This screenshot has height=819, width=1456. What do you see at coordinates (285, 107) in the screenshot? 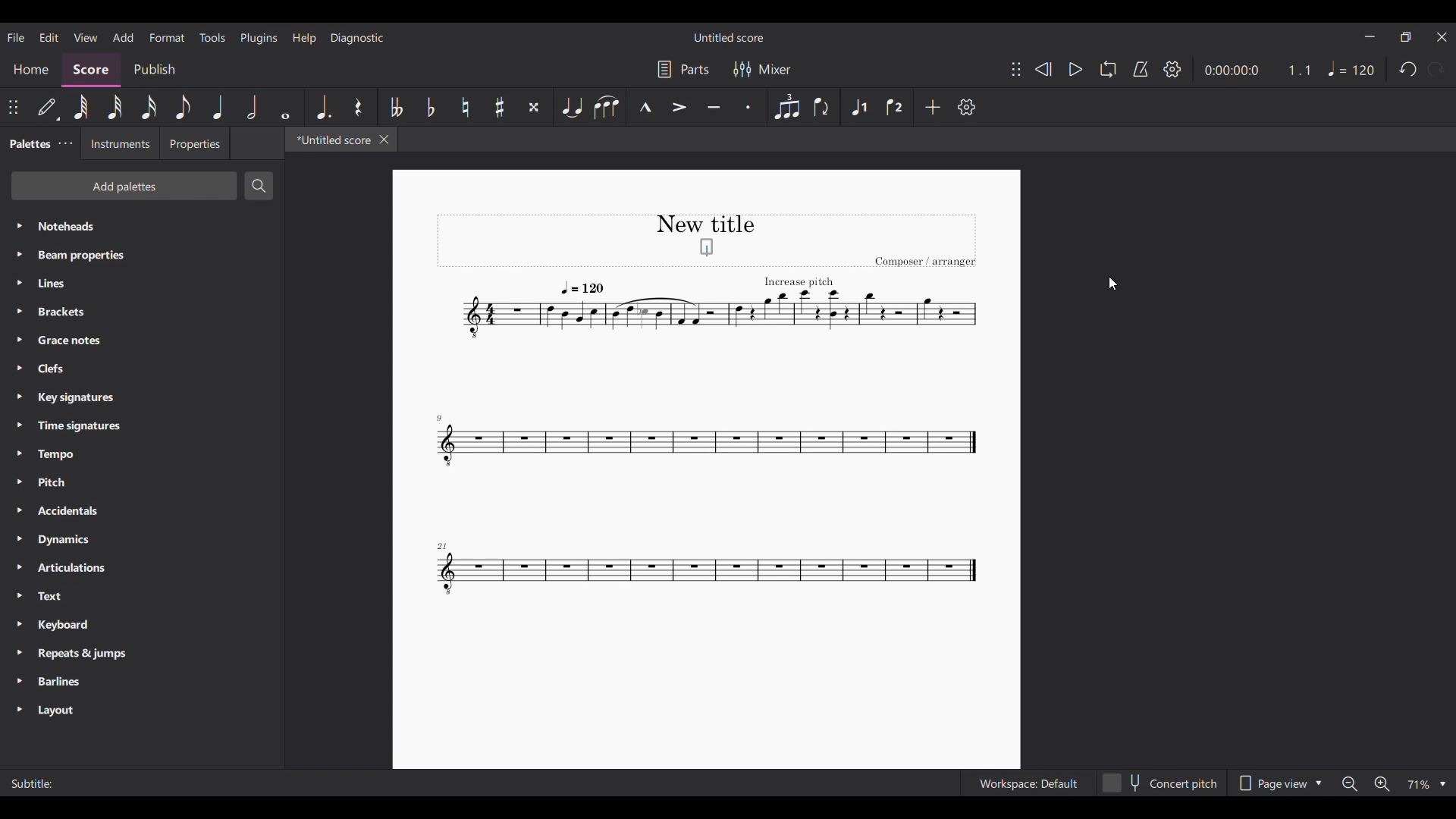
I see `Whole note` at bounding box center [285, 107].